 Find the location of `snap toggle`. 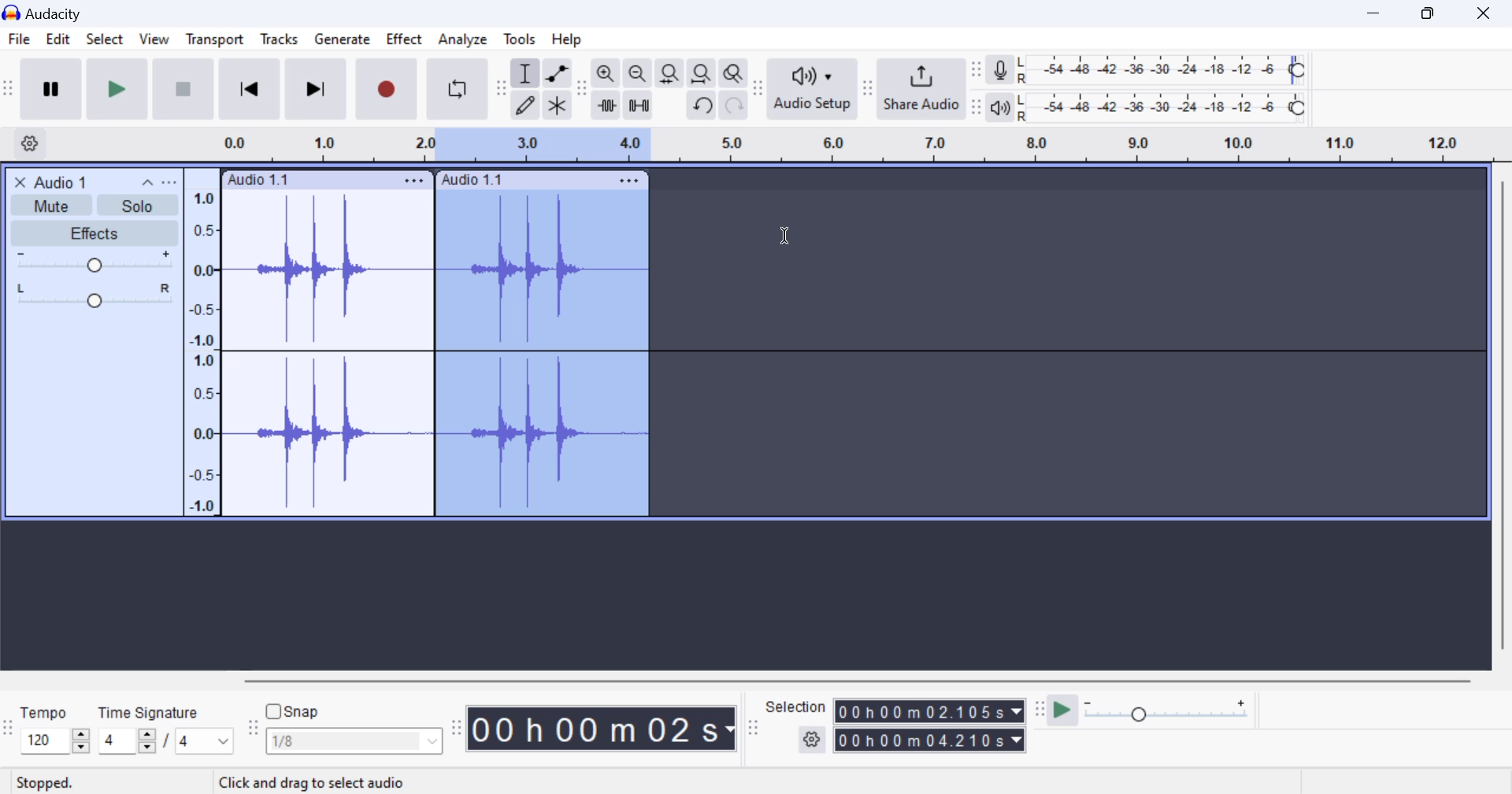

snap toggle is located at coordinates (301, 711).